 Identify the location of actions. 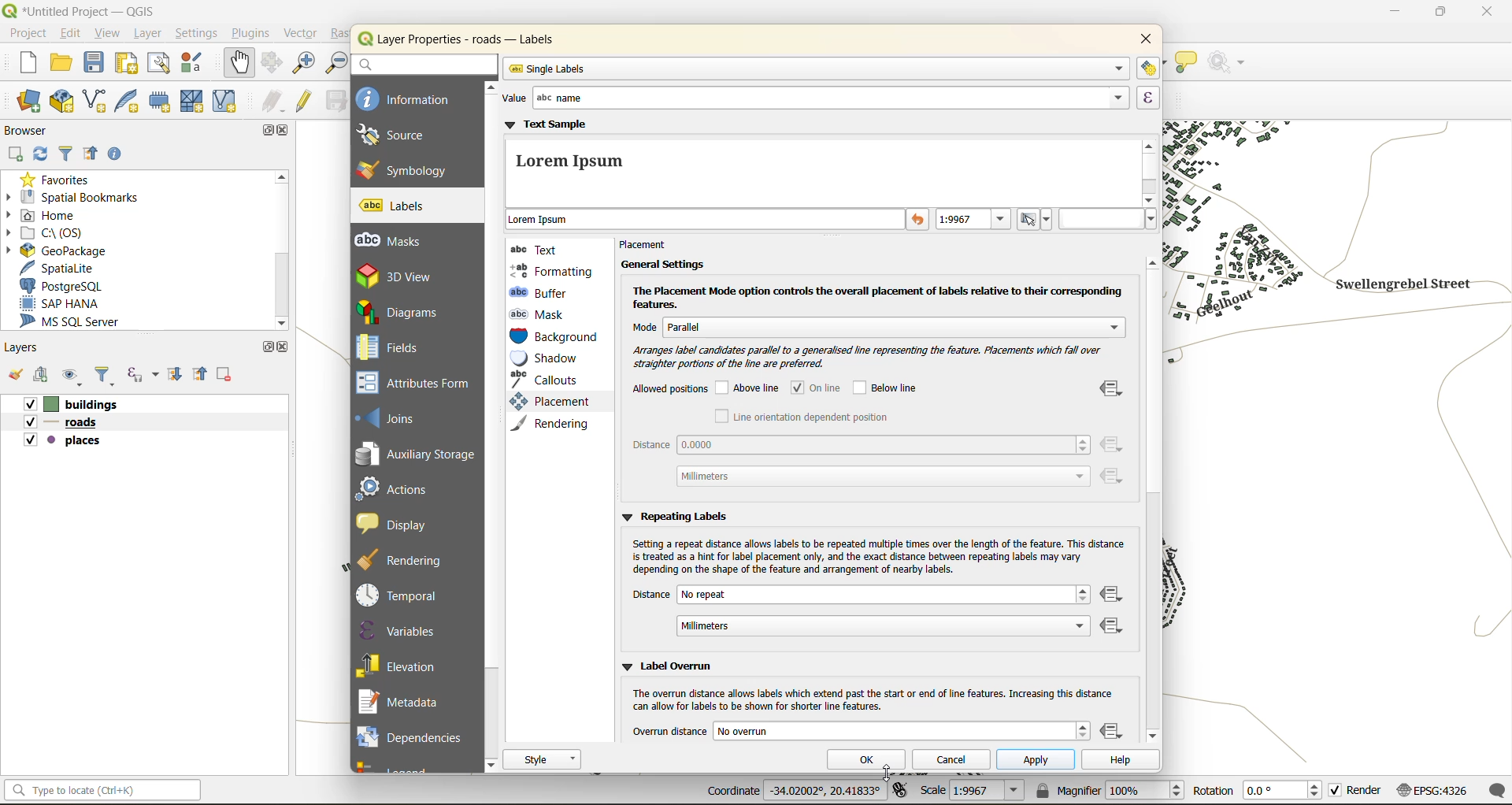
(402, 488).